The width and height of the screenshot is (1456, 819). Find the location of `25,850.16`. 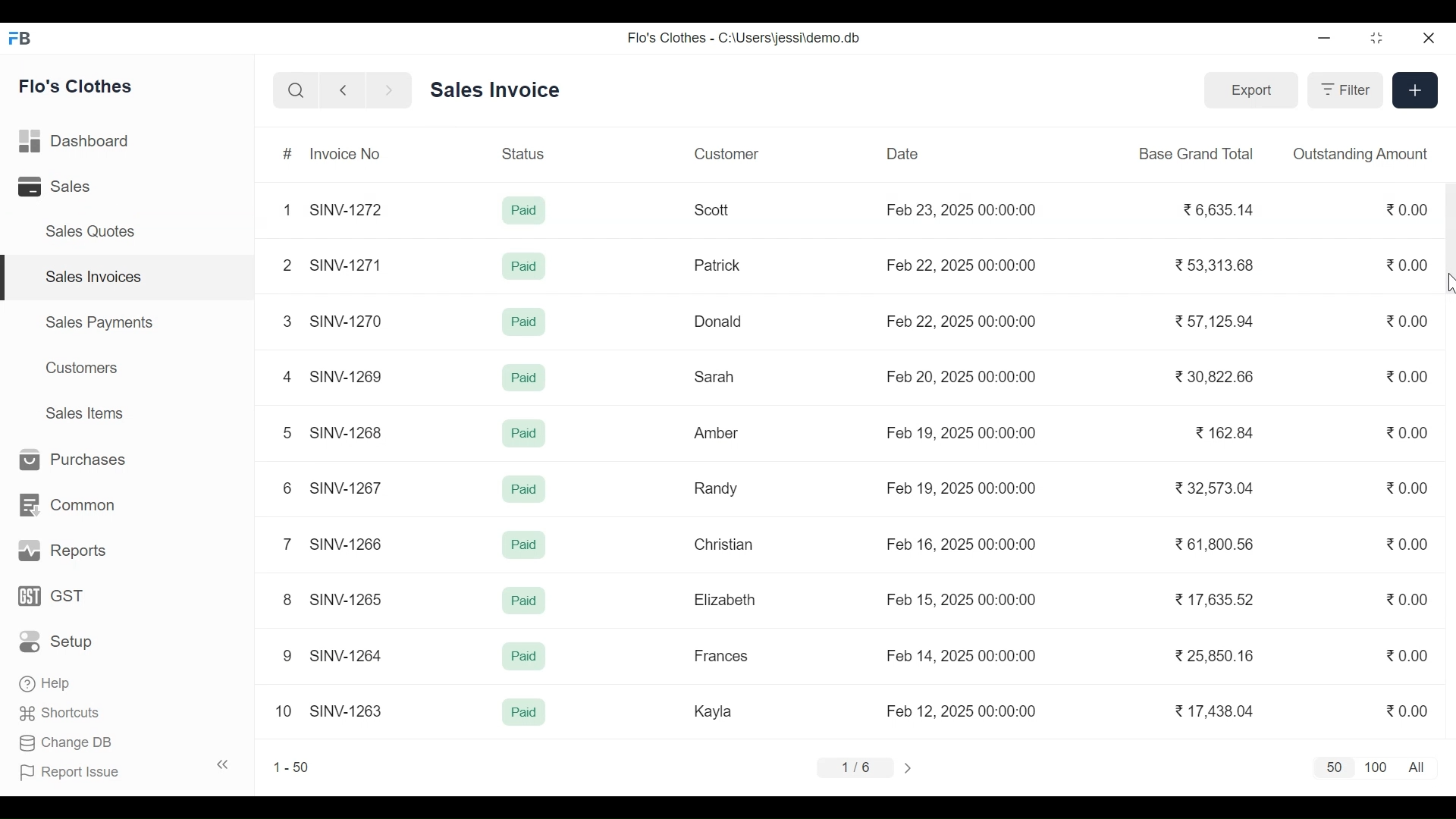

25,850.16 is located at coordinates (1216, 656).